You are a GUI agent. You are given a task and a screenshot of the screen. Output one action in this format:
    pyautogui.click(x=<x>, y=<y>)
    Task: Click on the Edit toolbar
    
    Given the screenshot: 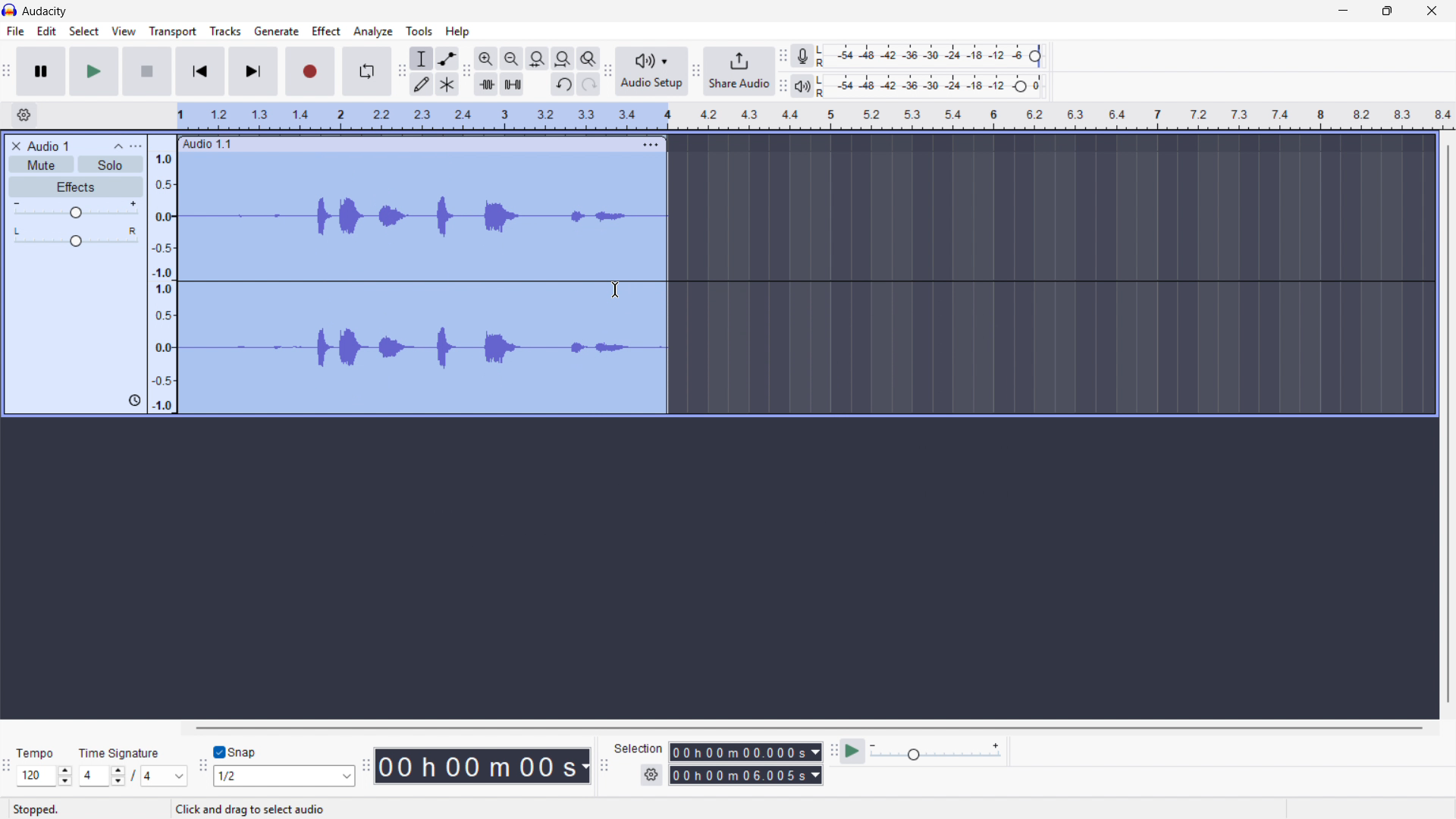 What is the action you would take?
    pyautogui.click(x=466, y=71)
    